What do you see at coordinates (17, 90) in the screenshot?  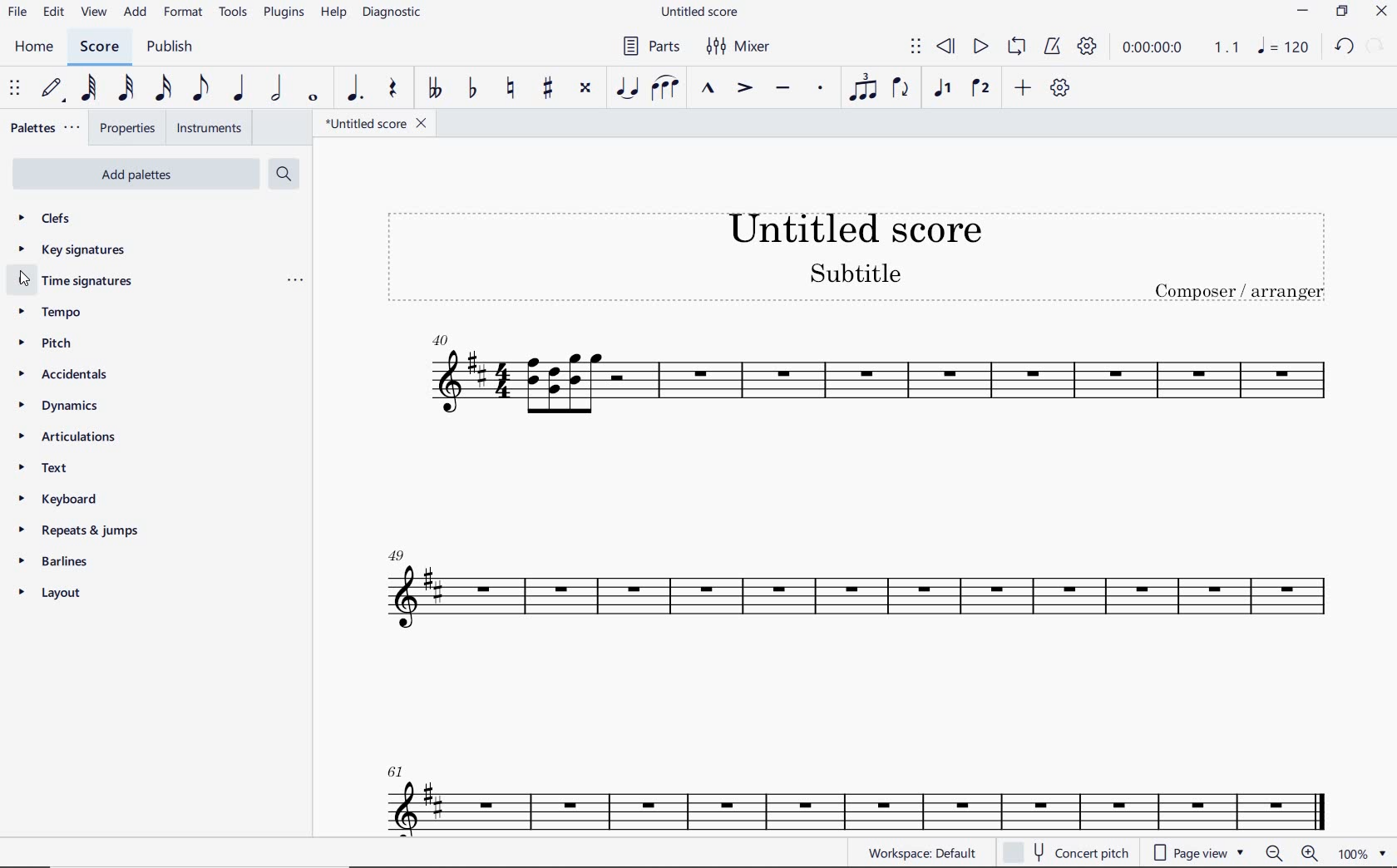 I see `SELECET TO MOVE` at bounding box center [17, 90].